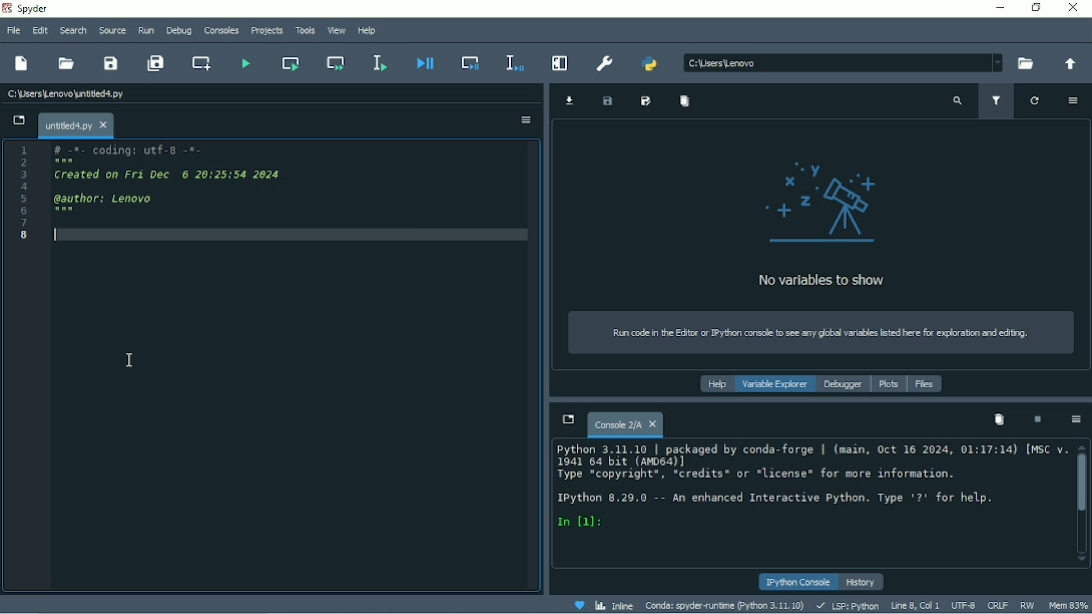 This screenshot has height=614, width=1092. I want to click on Save data as, so click(645, 103).